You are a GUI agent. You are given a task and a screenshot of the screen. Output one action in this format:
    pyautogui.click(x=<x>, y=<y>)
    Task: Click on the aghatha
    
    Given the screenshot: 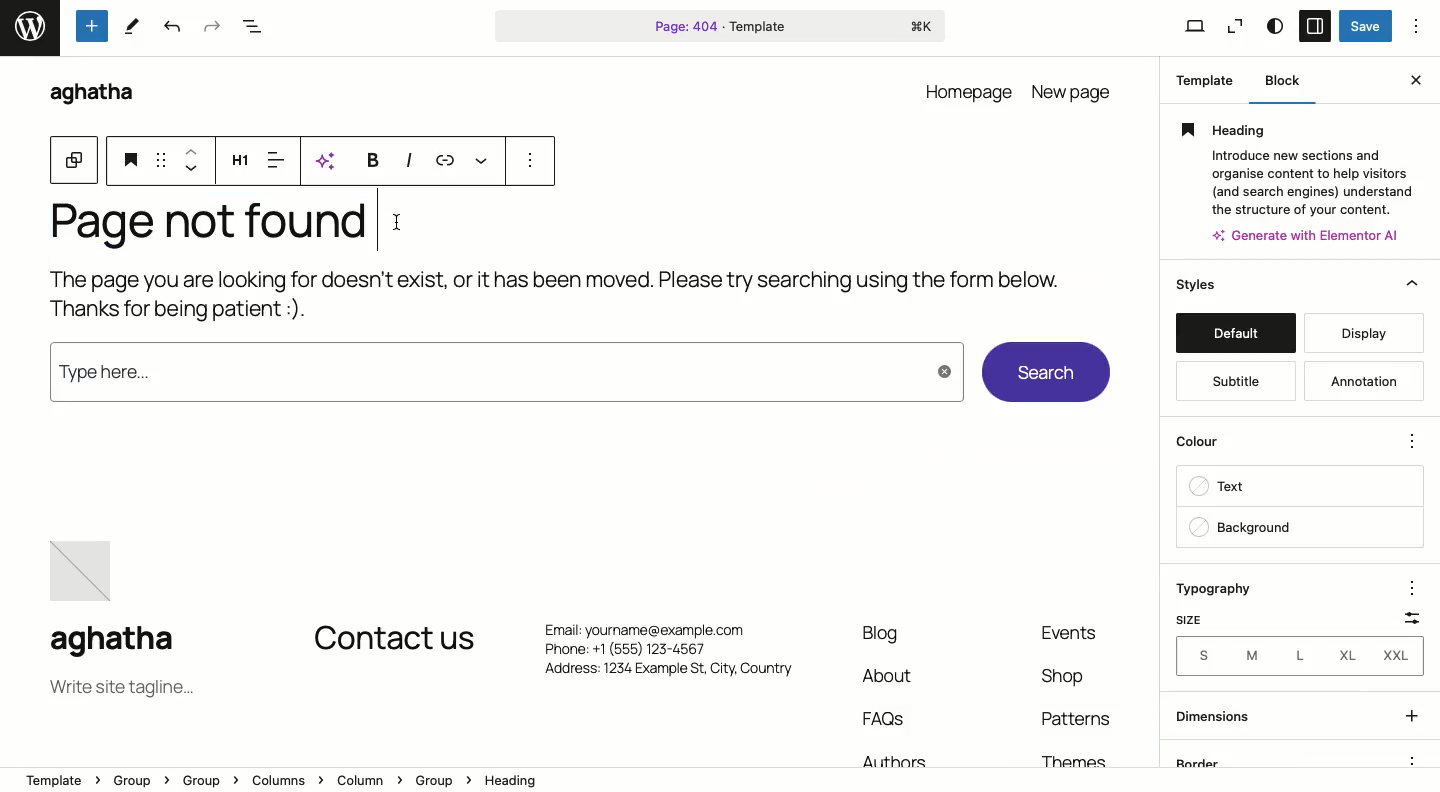 What is the action you would take?
    pyautogui.click(x=90, y=93)
    